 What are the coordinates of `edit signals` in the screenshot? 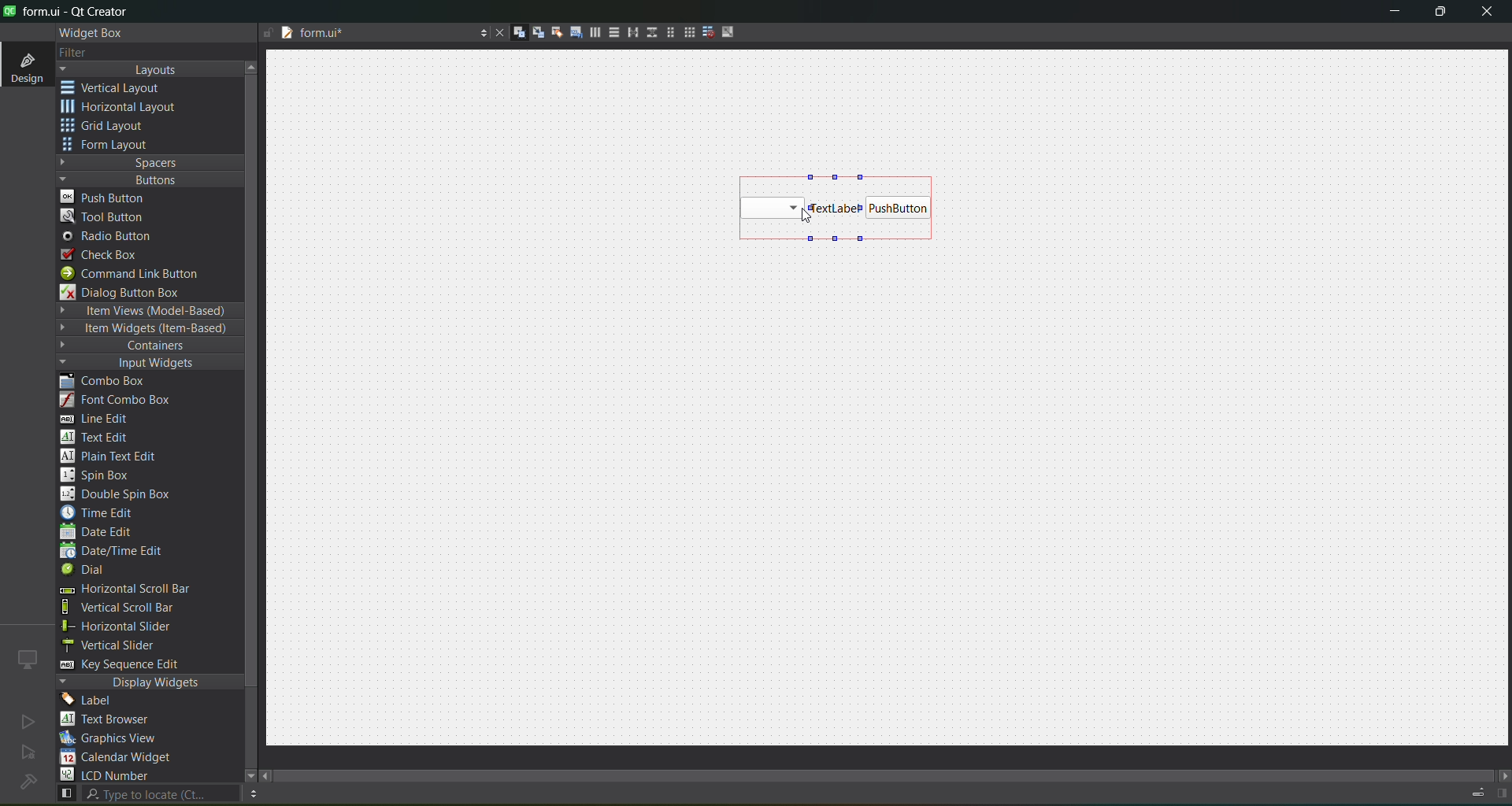 It's located at (532, 31).